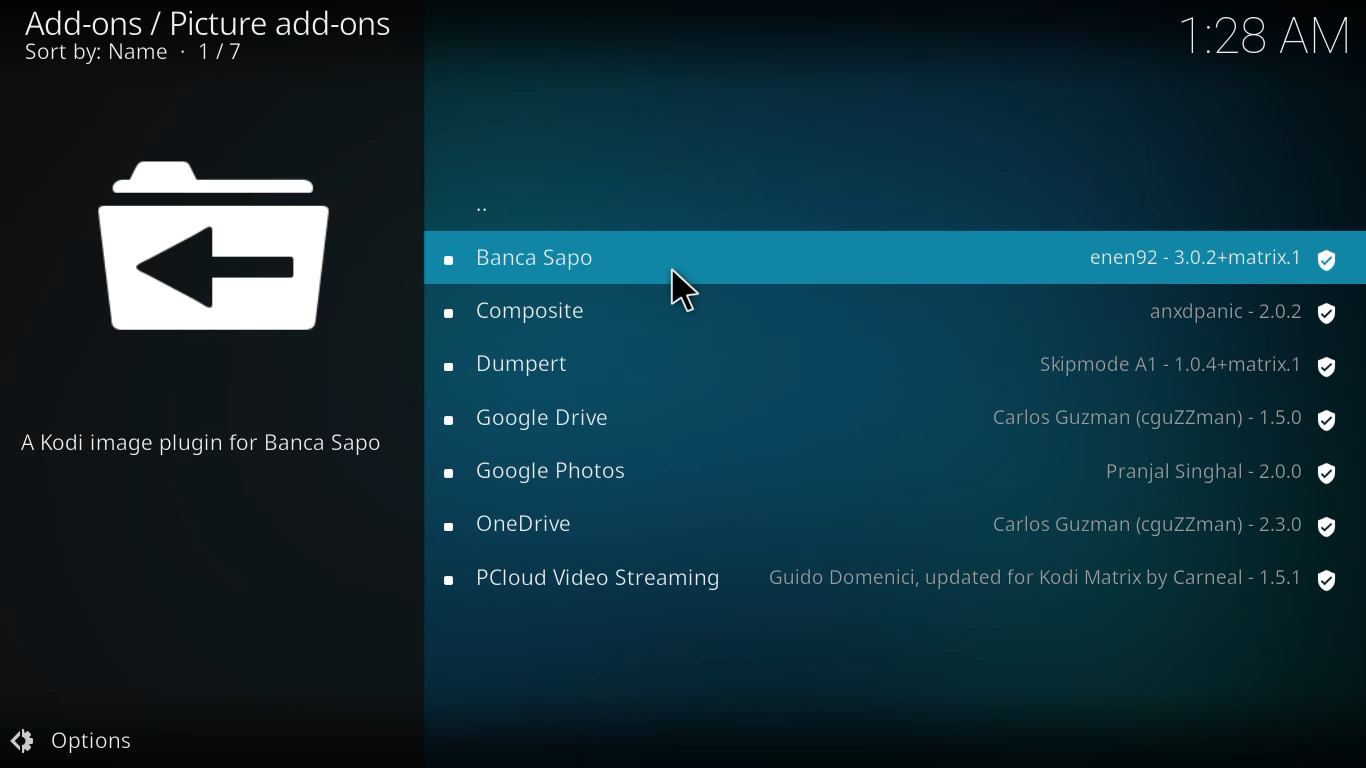  Describe the element at coordinates (1052, 575) in the screenshot. I see `version` at that location.